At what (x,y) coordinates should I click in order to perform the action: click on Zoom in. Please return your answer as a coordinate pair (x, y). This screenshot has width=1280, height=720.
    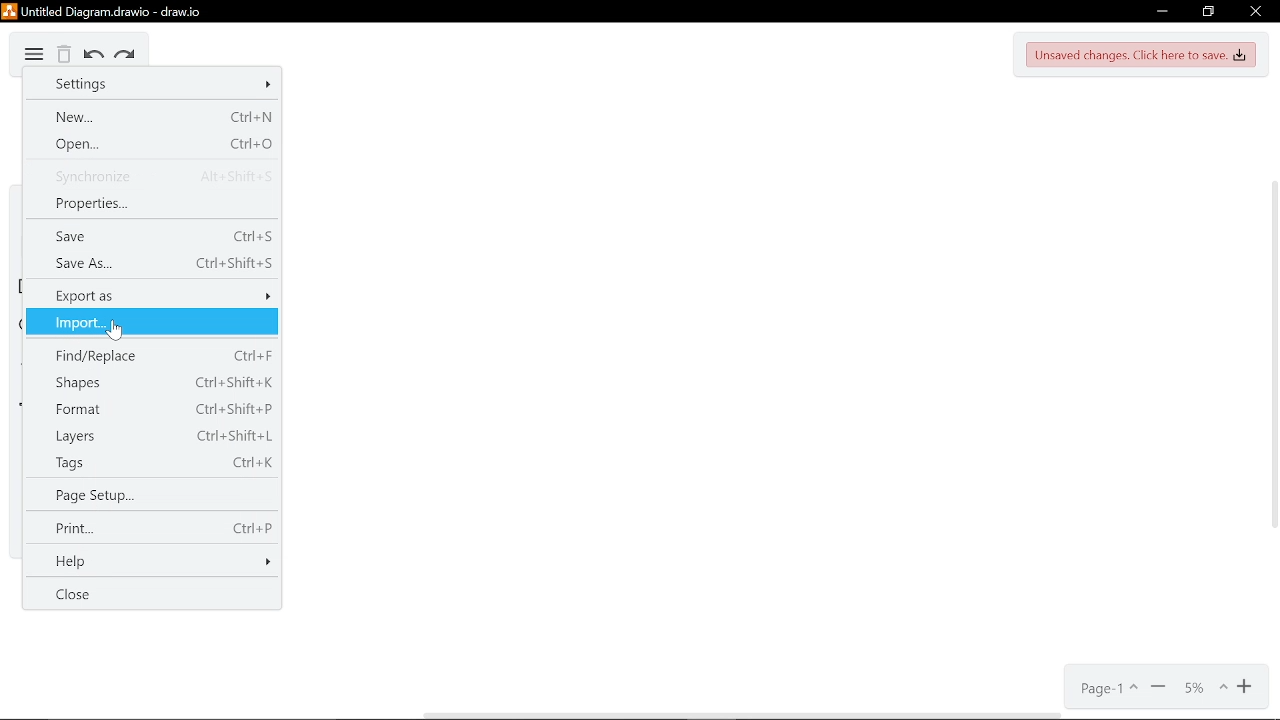
    Looking at the image, I should click on (1242, 685).